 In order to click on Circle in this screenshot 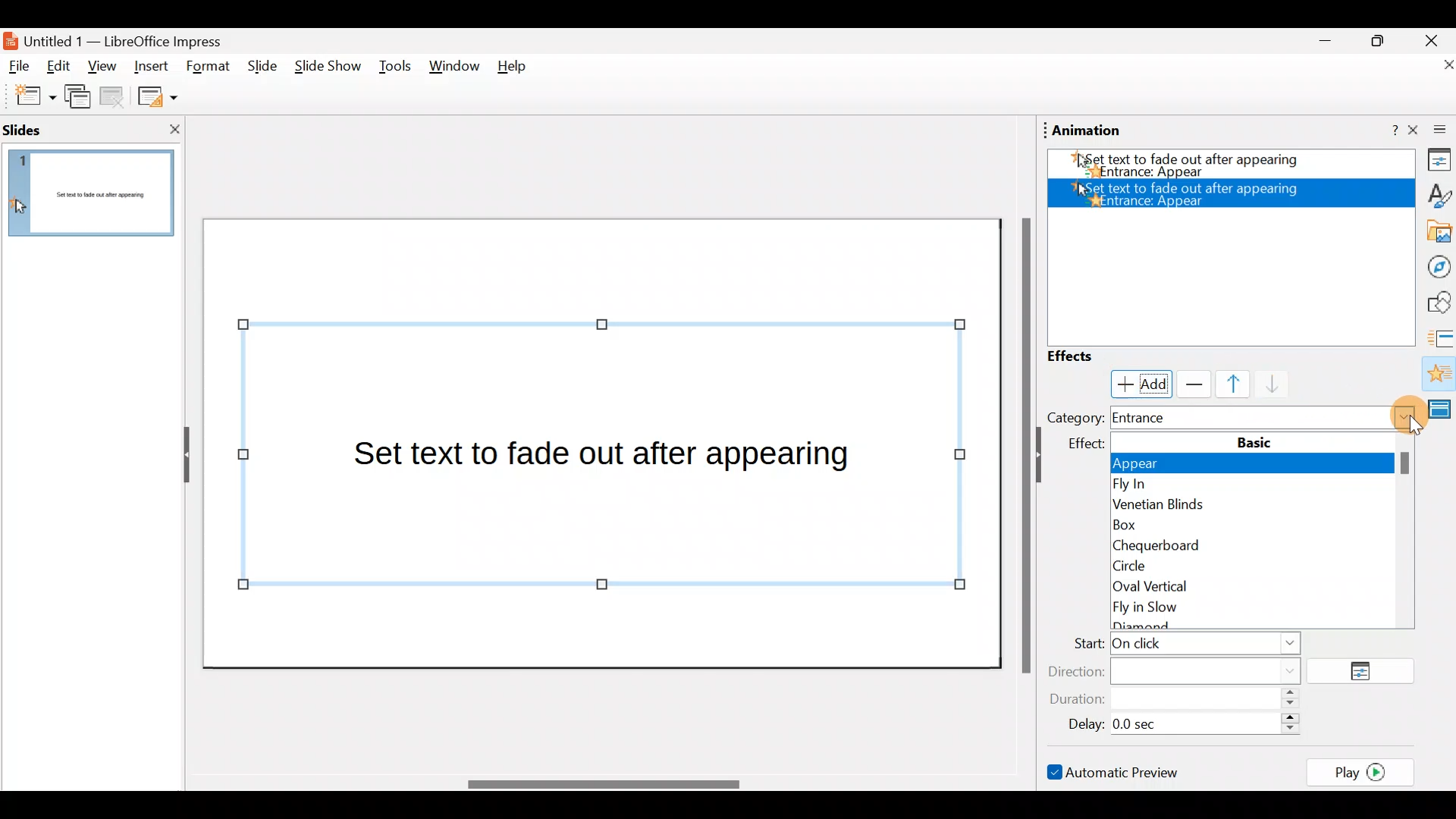, I will do `click(1255, 565)`.